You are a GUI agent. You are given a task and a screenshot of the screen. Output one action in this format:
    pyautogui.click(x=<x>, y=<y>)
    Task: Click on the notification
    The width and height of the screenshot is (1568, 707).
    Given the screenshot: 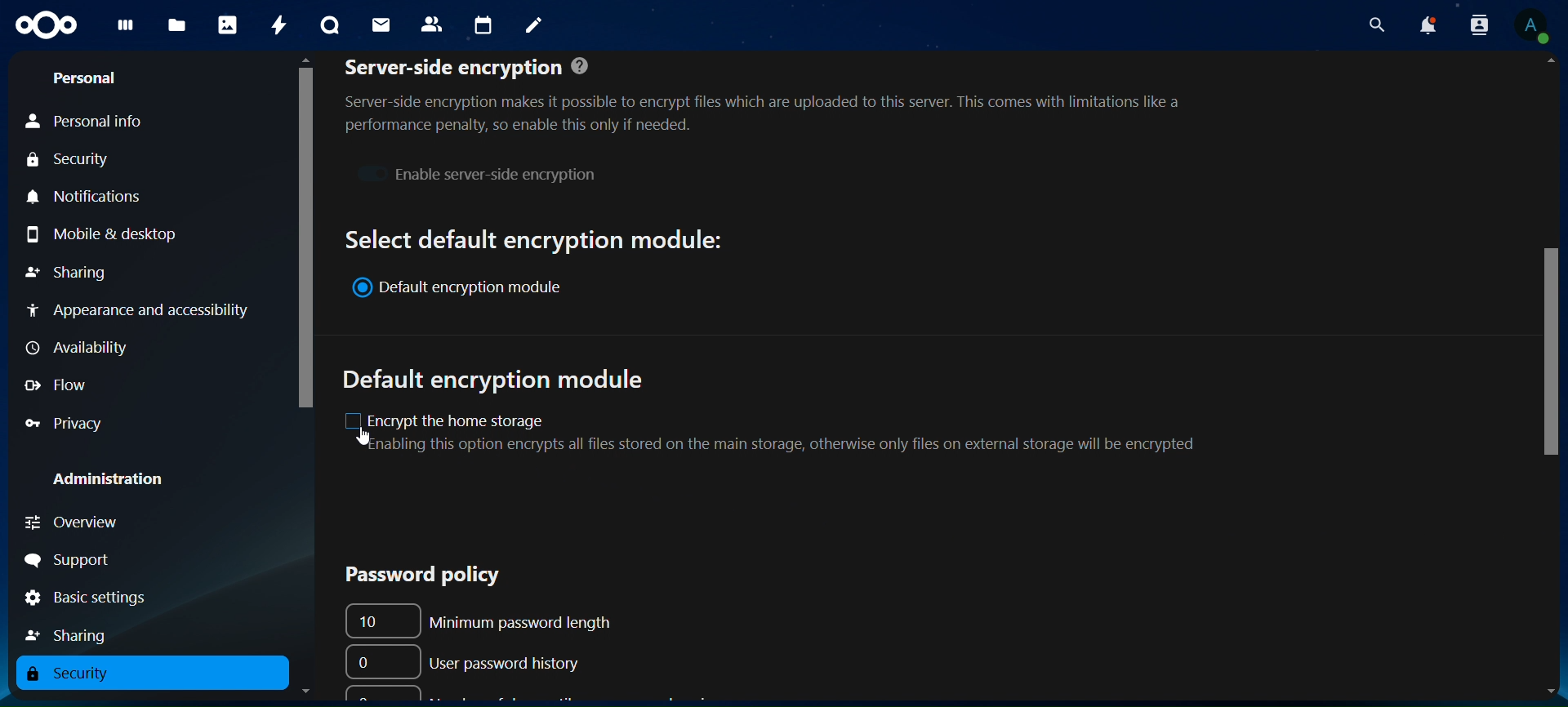 What is the action you would take?
    pyautogui.click(x=1427, y=26)
    